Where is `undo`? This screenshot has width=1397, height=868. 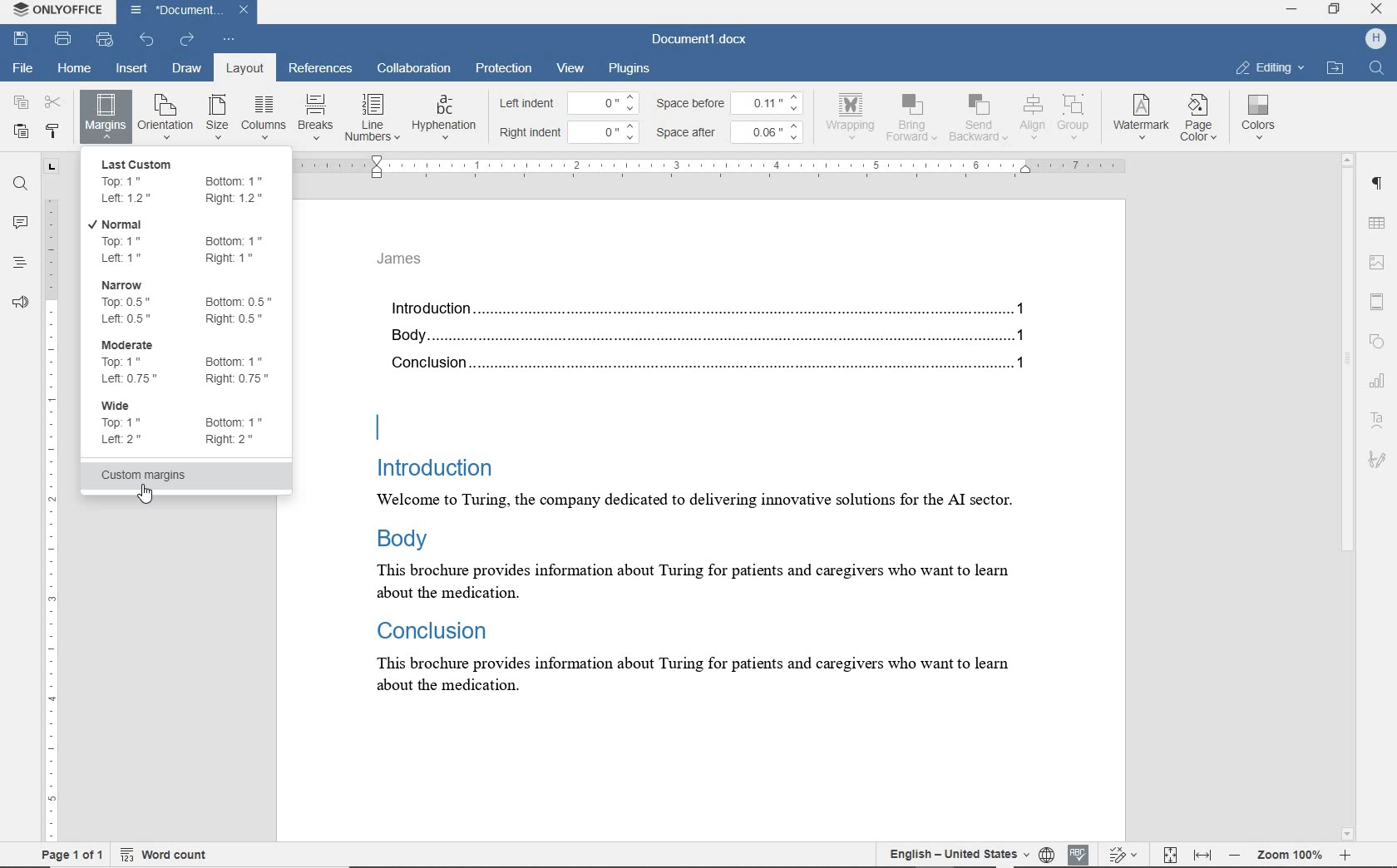
undo is located at coordinates (146, 40).